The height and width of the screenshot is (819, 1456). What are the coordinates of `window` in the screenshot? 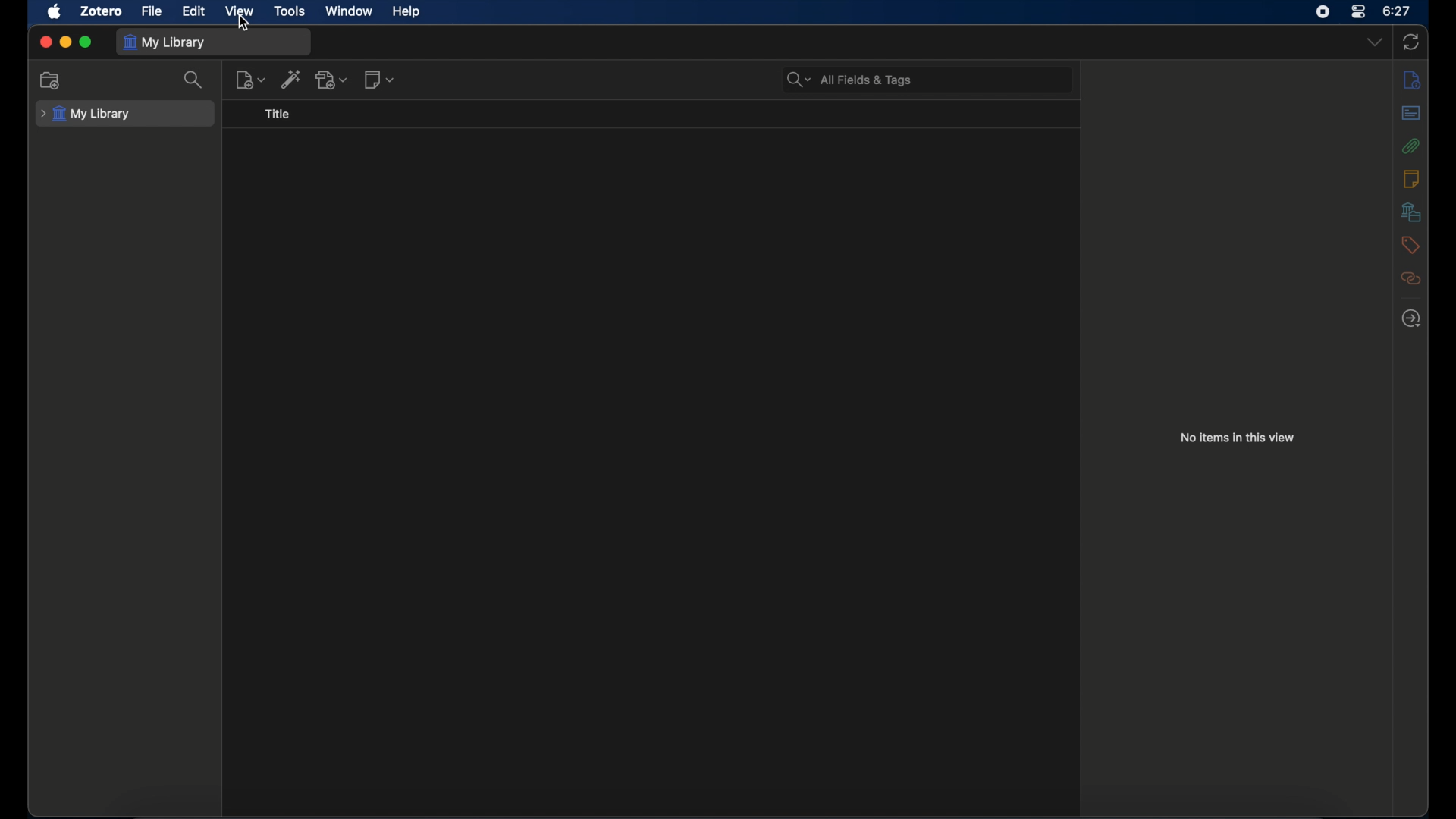 It's located at (350, 11).